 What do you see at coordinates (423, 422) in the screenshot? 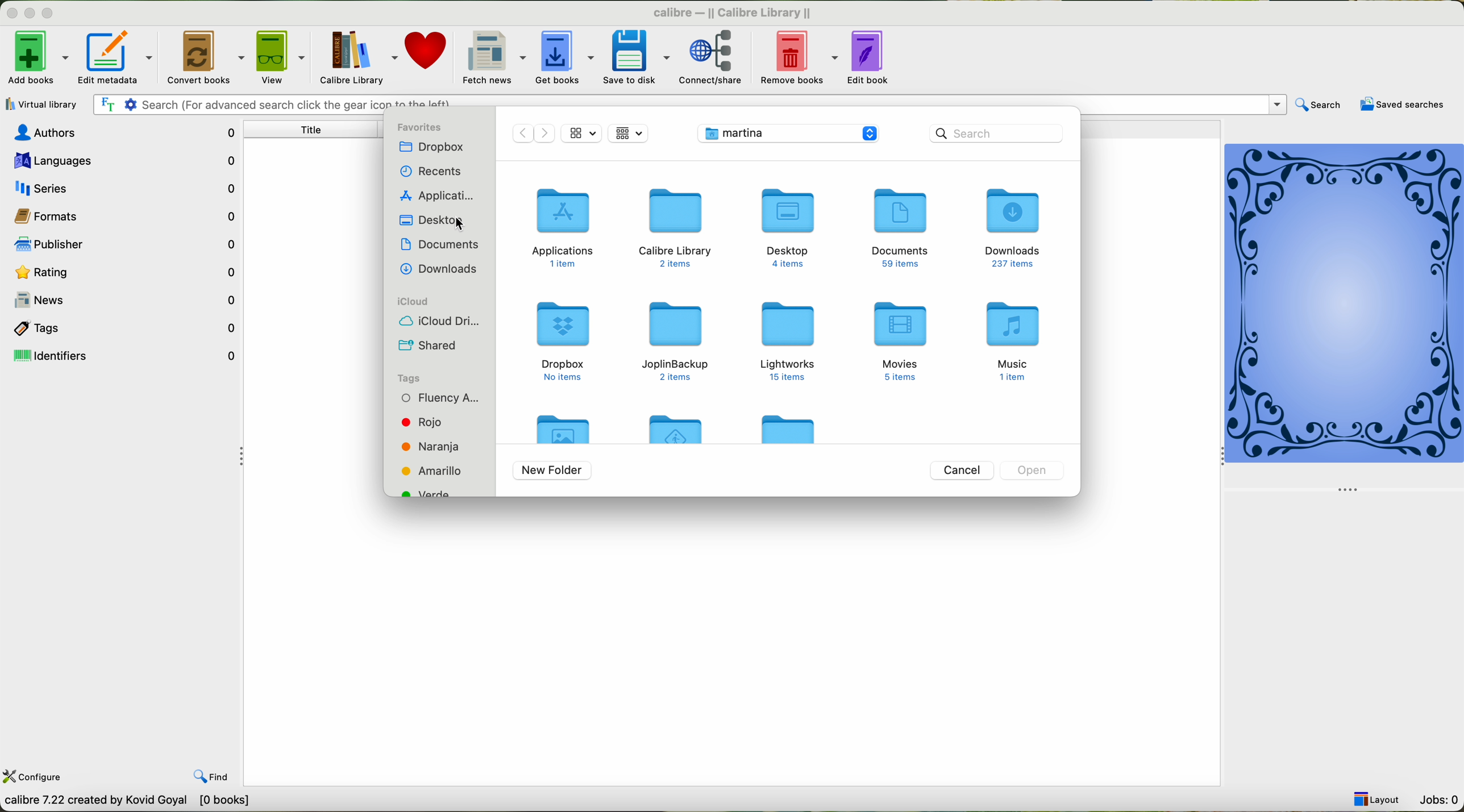
I see `red tag` at bounding box center [423, 422].